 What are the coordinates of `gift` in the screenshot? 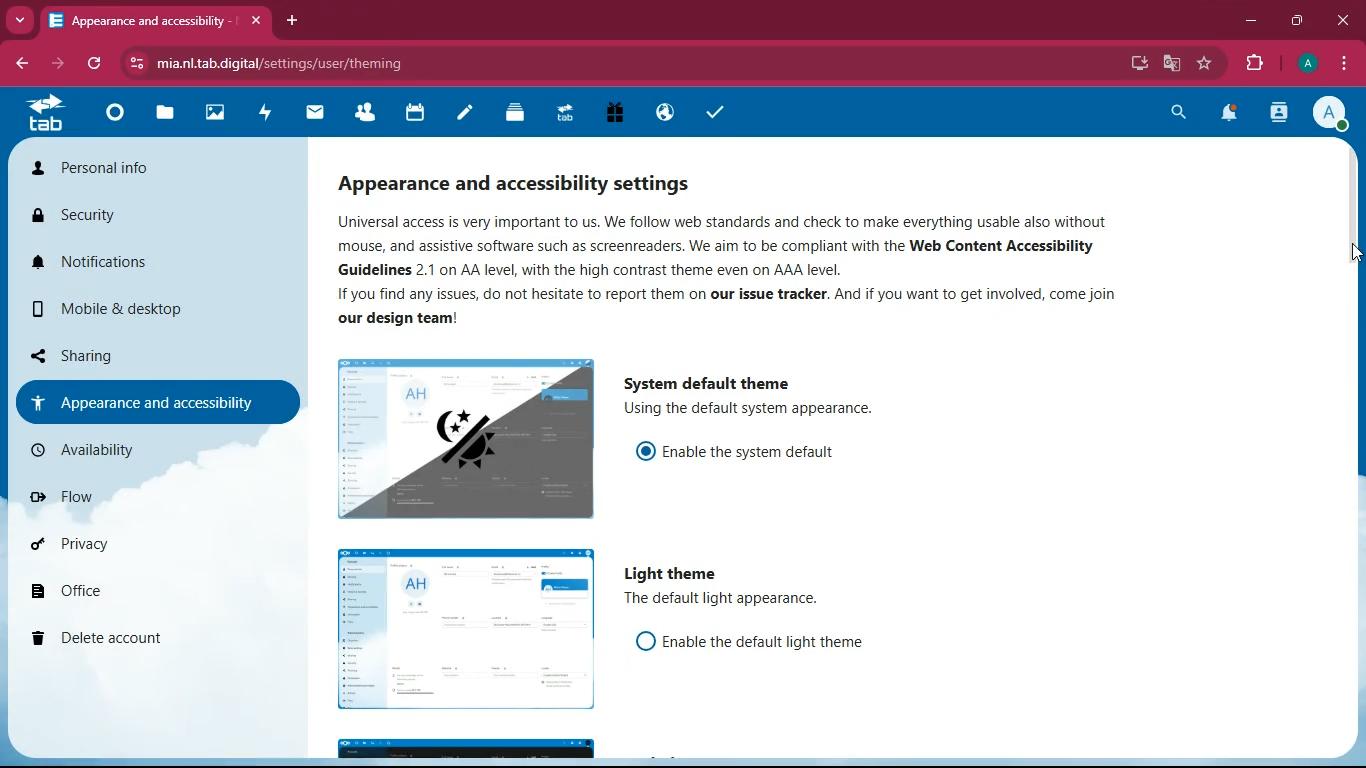 It's located at (623, 113).